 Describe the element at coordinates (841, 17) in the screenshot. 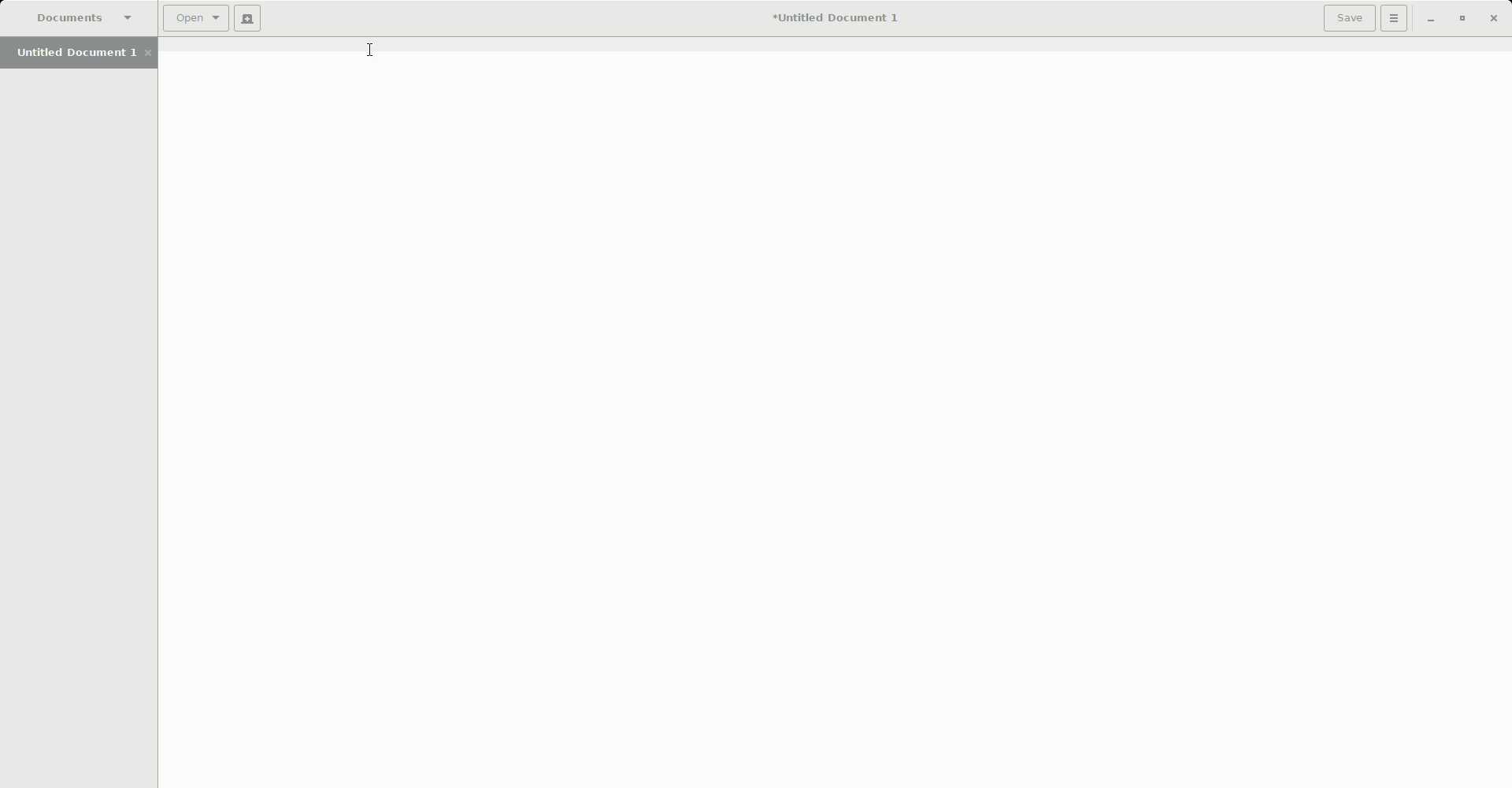

I see `Untitled Document 1` at that location.